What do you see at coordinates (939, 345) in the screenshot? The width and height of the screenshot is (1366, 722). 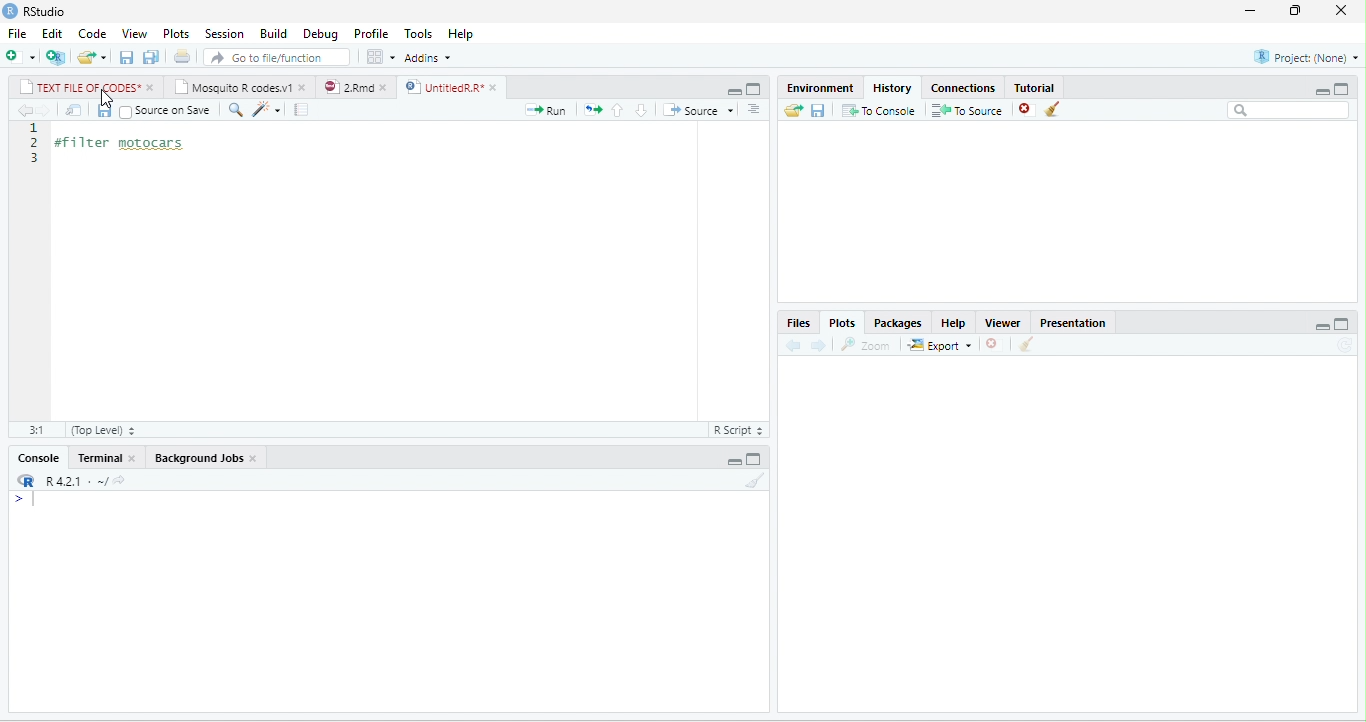 I see `Export` at bounding box center [939, 345].